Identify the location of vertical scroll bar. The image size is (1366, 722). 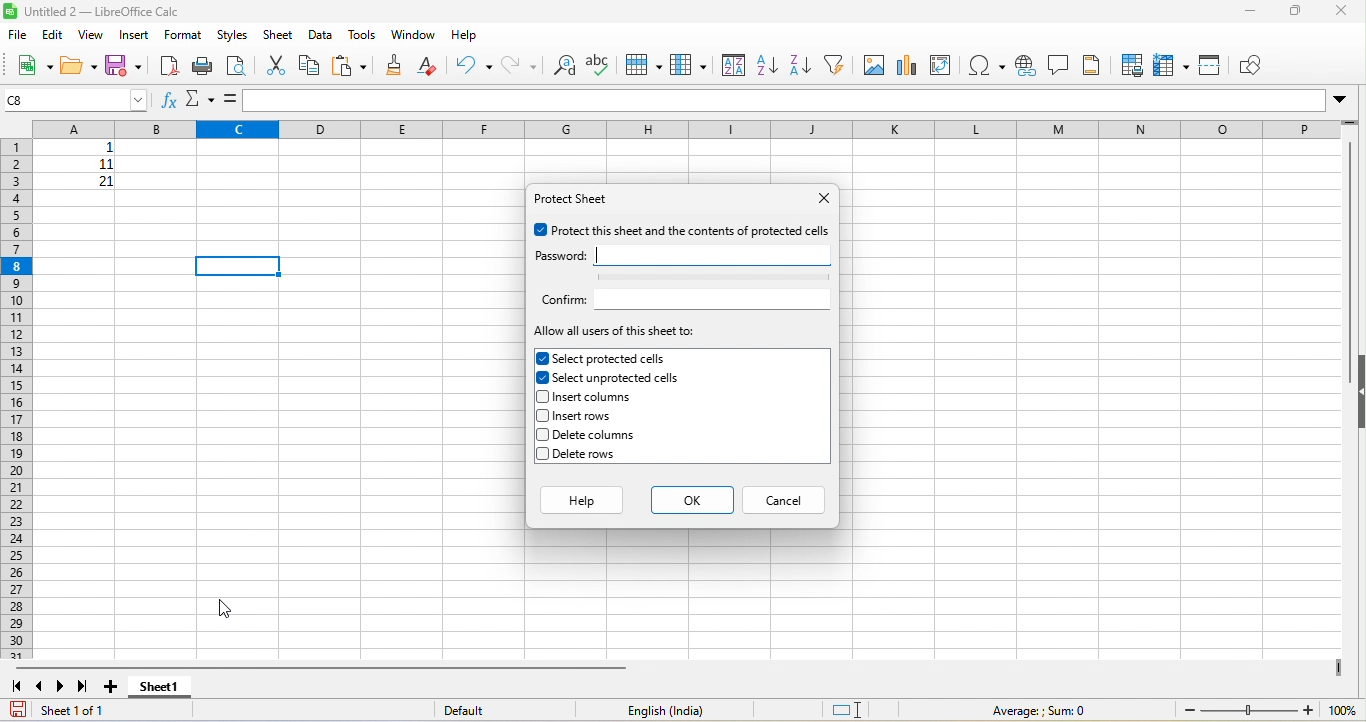
(1352, 247).